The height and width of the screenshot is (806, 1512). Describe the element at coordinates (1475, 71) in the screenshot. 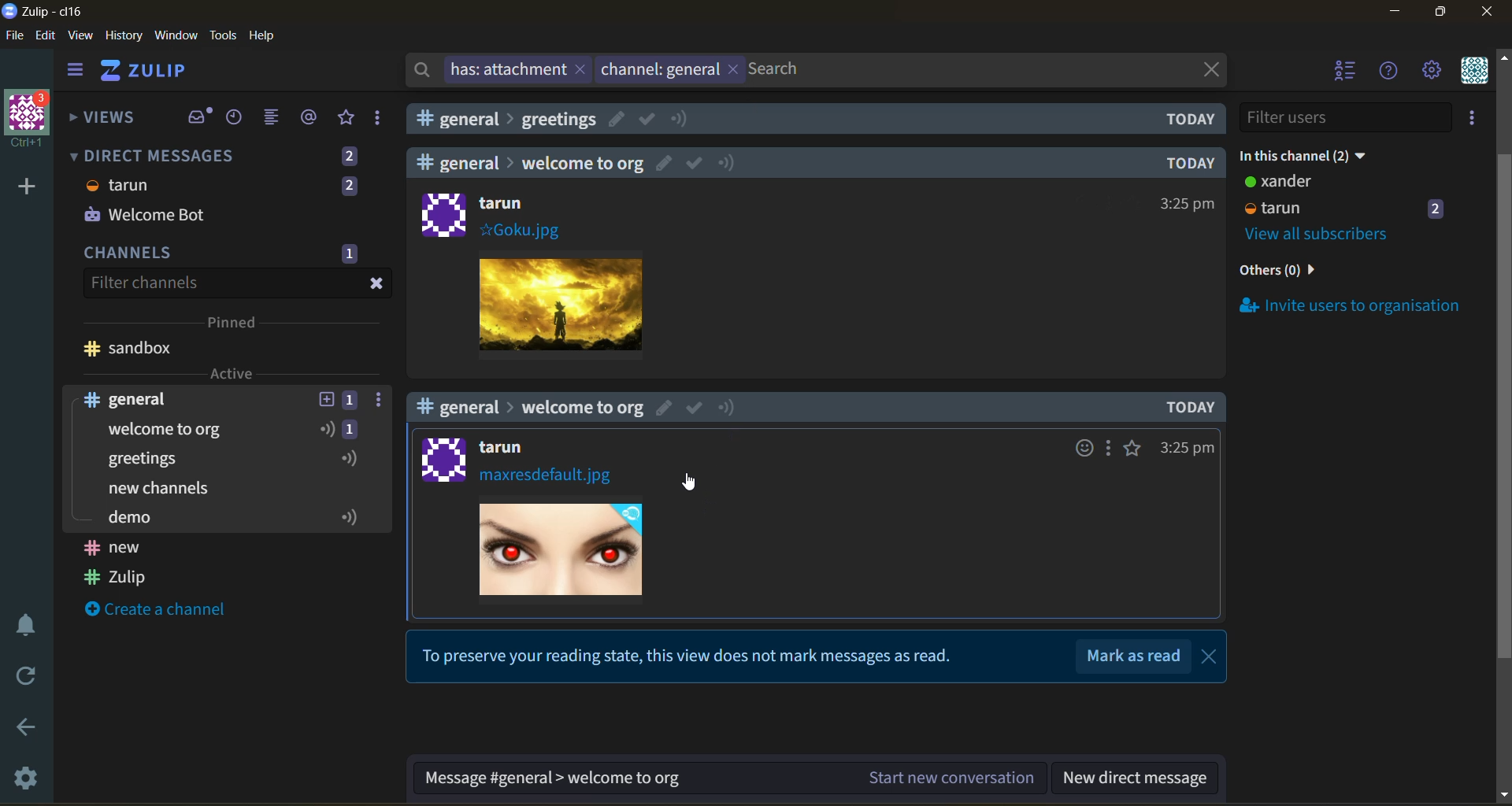

I see `personal menu` at that location.